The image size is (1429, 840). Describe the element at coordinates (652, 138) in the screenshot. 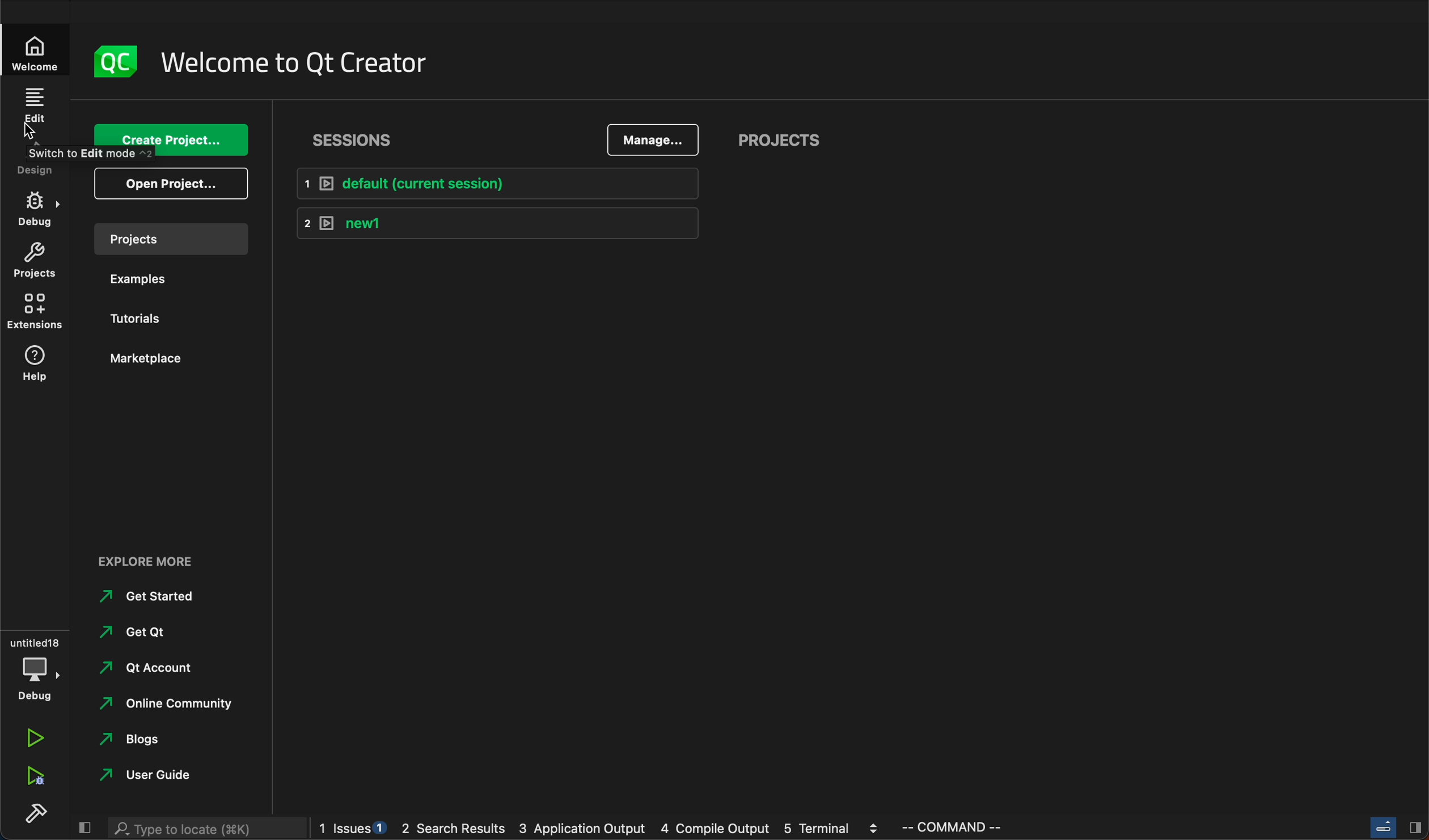

I see `manage` at that location.